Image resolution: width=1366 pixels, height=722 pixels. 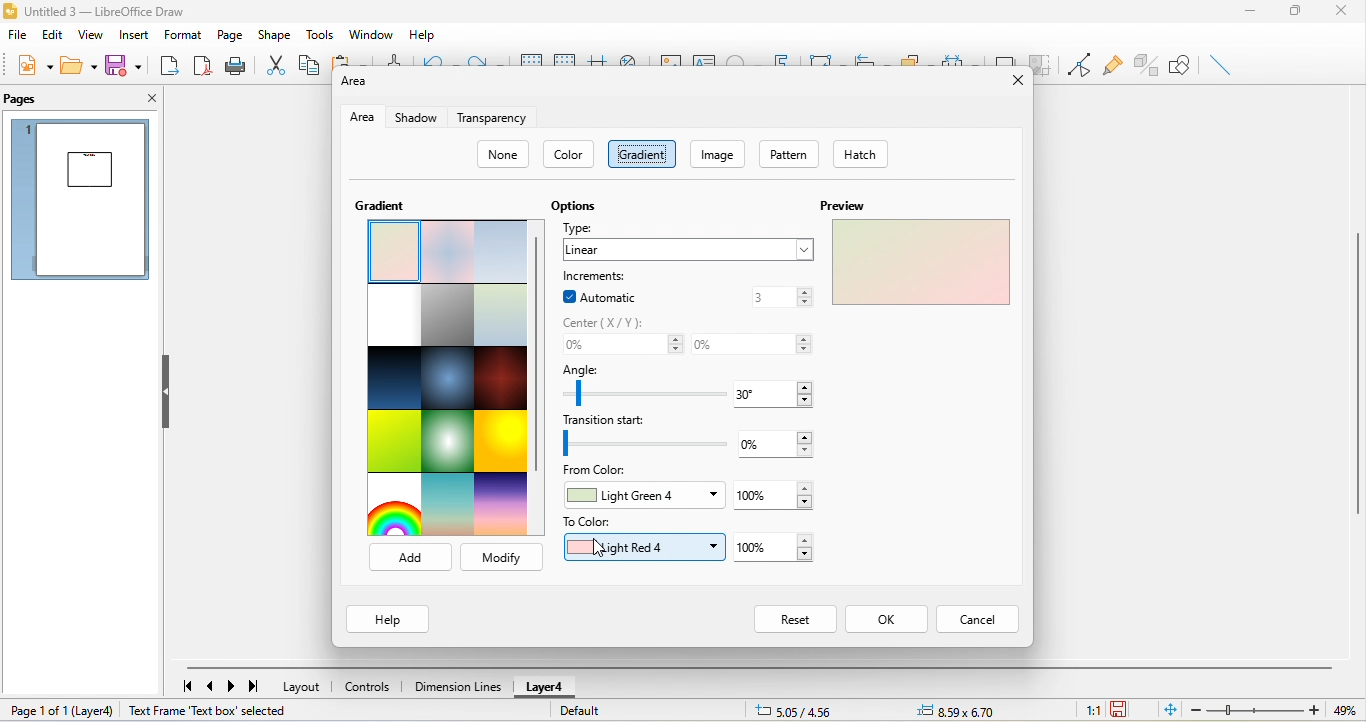 I want to click on neon light, so click(x=447, y=440).